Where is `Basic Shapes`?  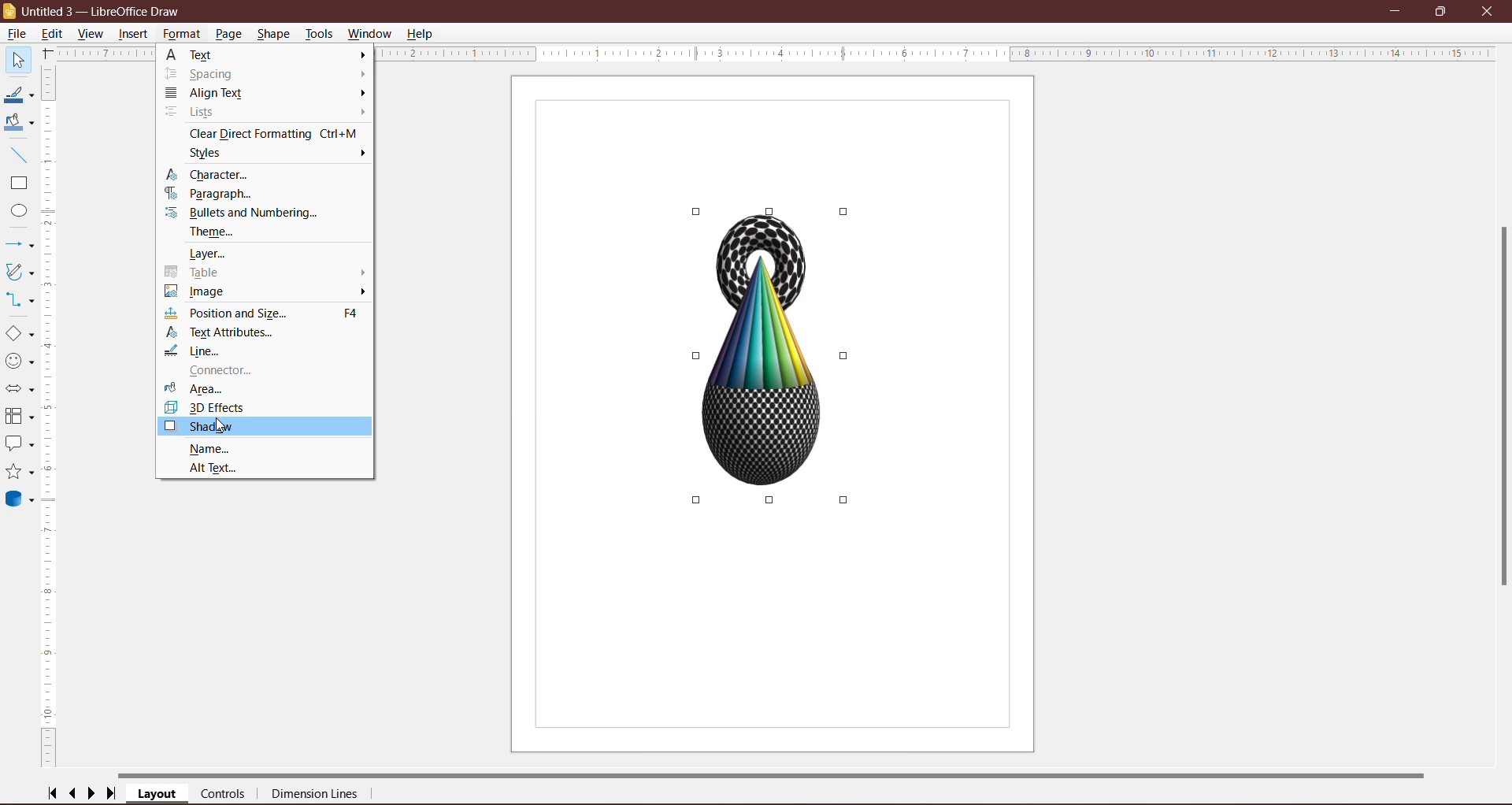
Basic Shapes is located at coordinates (19, 333).